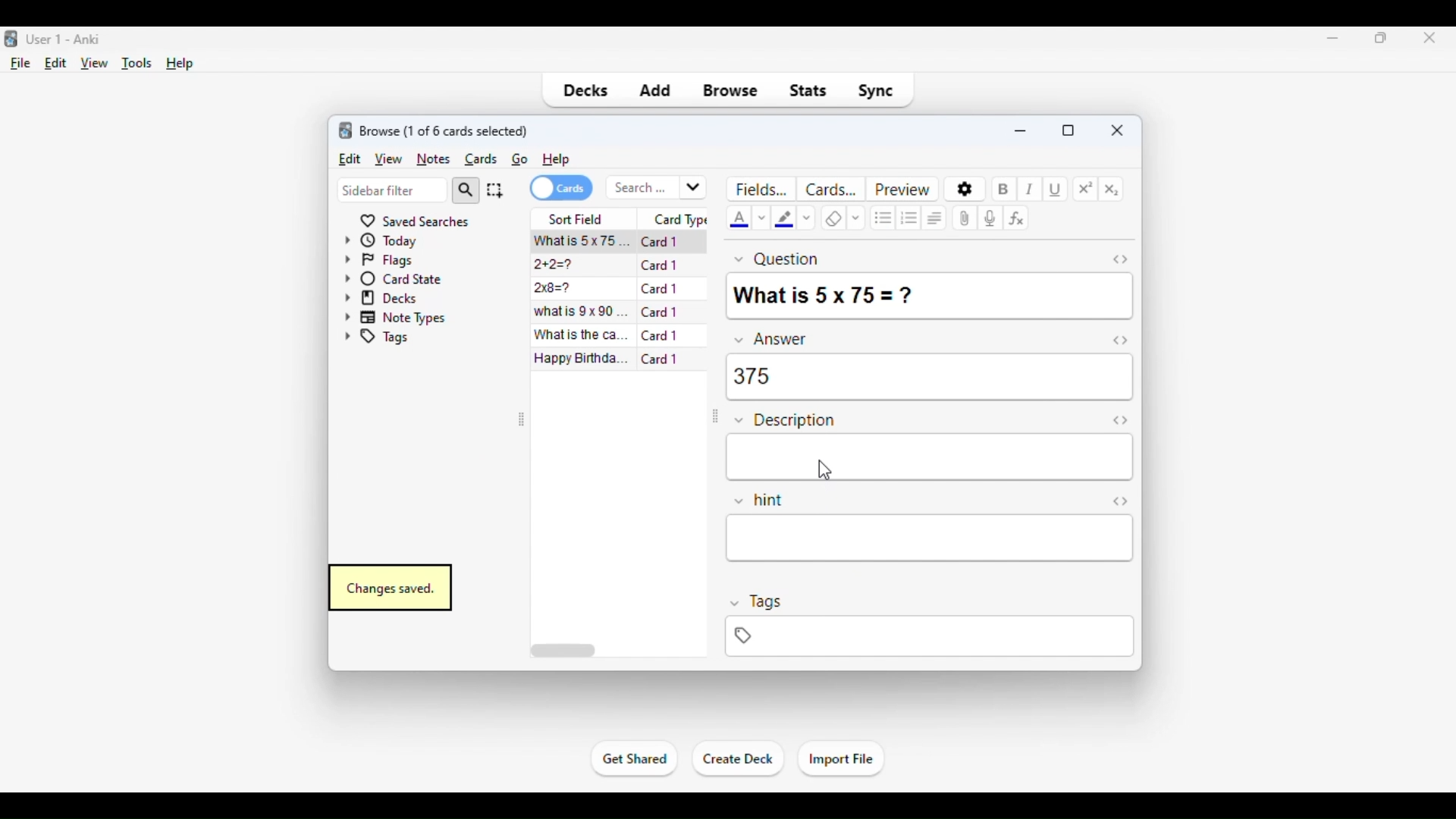 Image resolution: width=1456 pixels, height=819 pixels. I want to click on attach pictures/audio/video, so click(966, 218).